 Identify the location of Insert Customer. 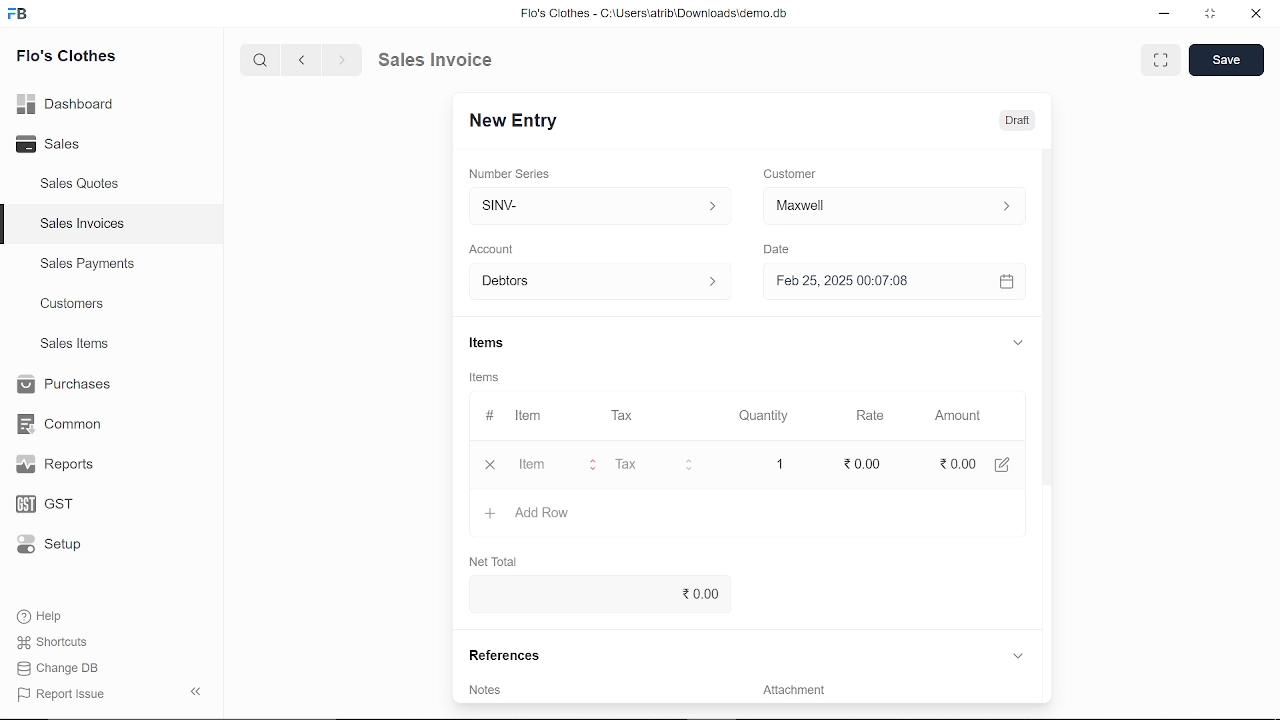
(890, 206).